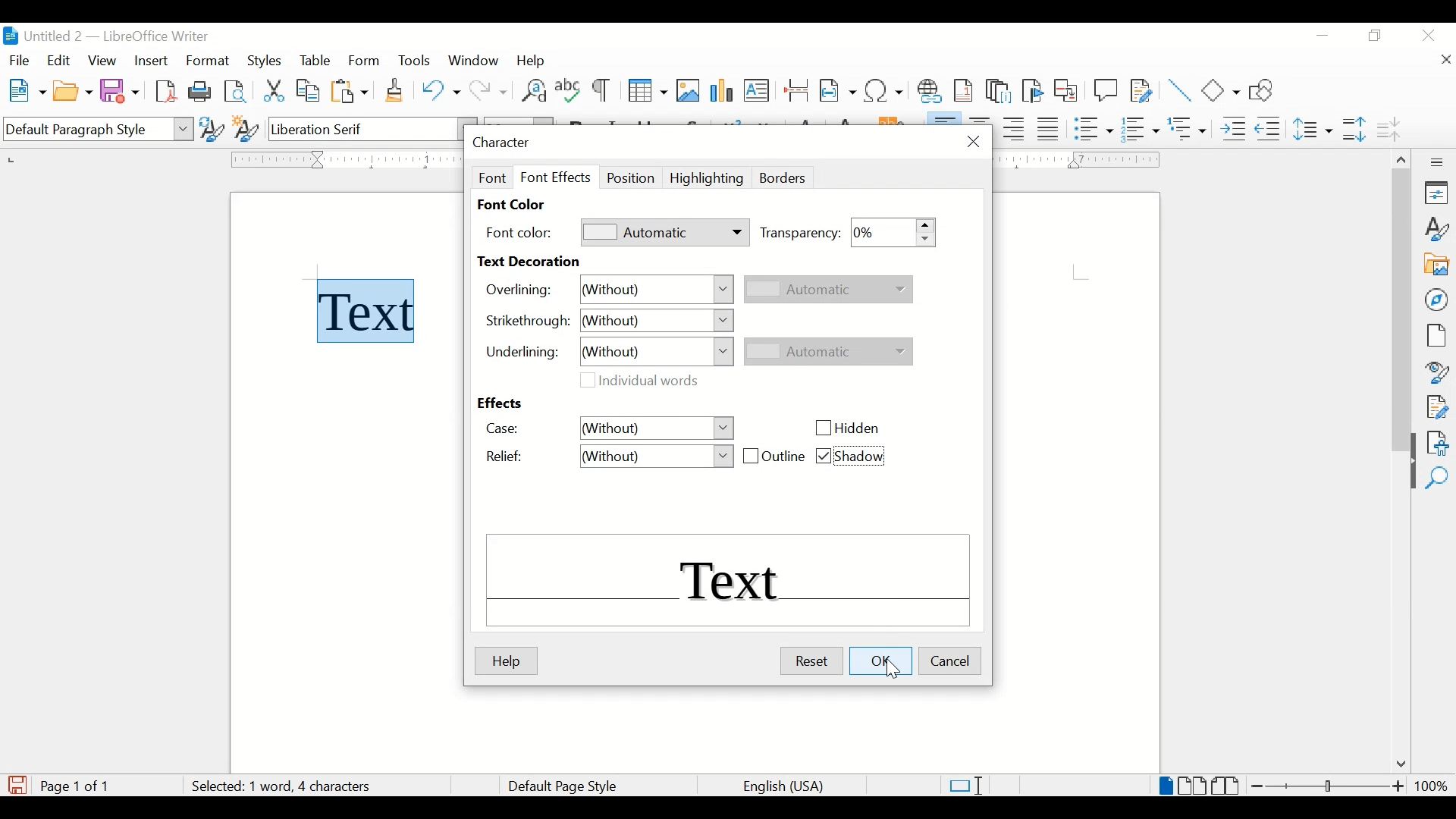 The width and height of the screenshot is (1456, 819). Describe the element at coordinates (1180, 90) in the screenshot. I see `insert line` at that location.